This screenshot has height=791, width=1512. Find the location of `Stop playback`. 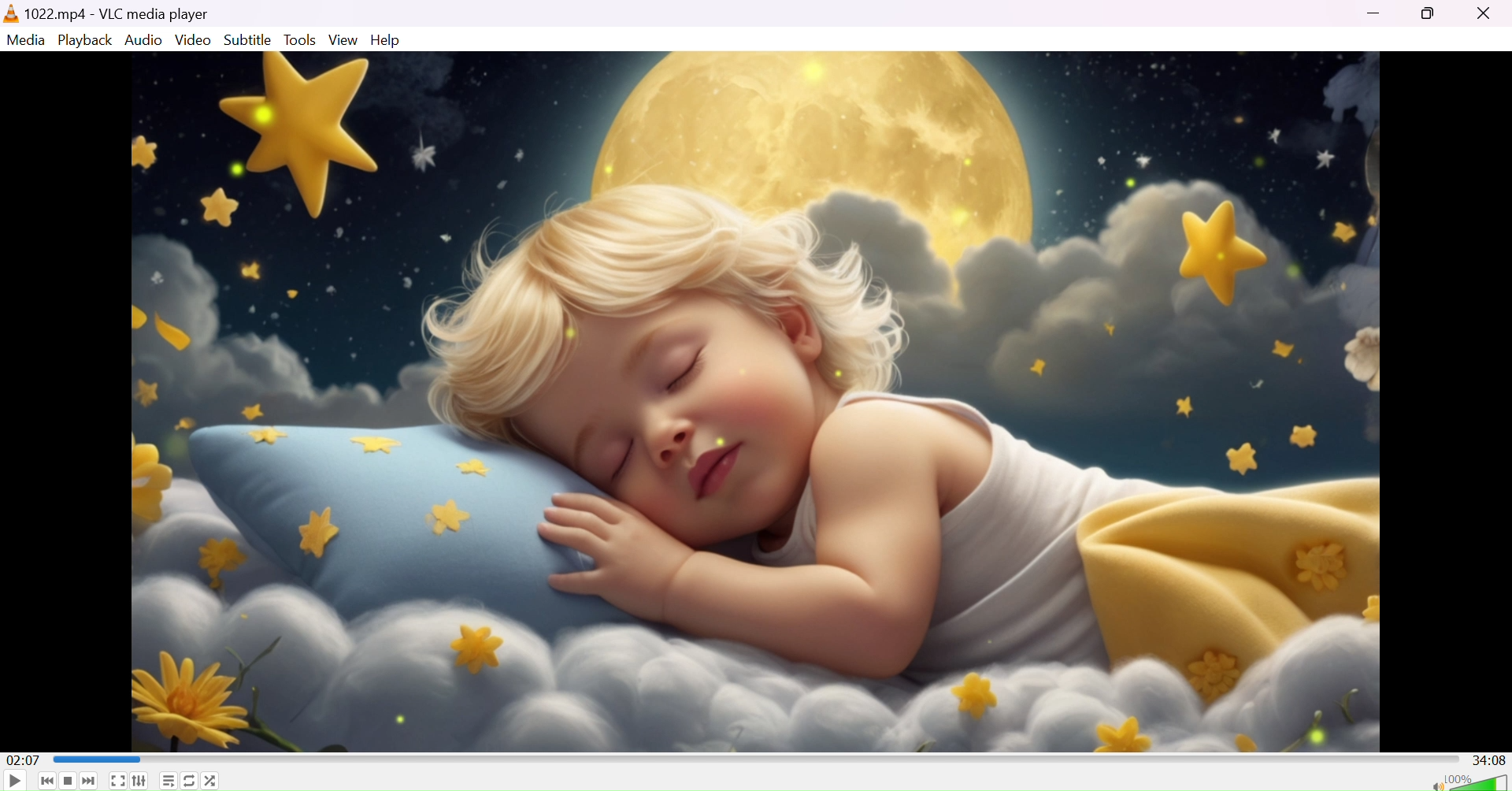

Stop playback is located at coordinates (69, 781).